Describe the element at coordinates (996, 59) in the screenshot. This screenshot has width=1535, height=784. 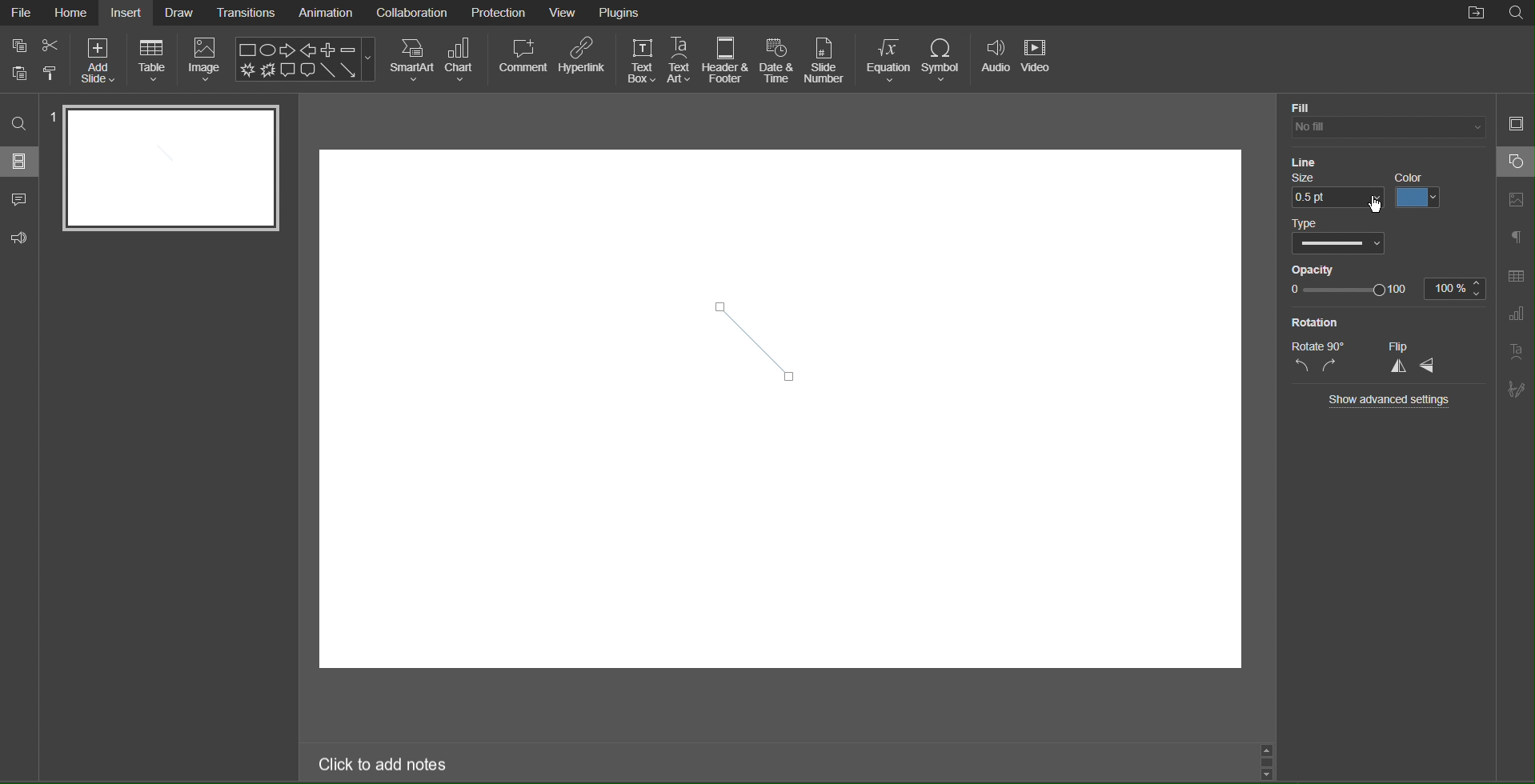
I see `Audio` at that location.